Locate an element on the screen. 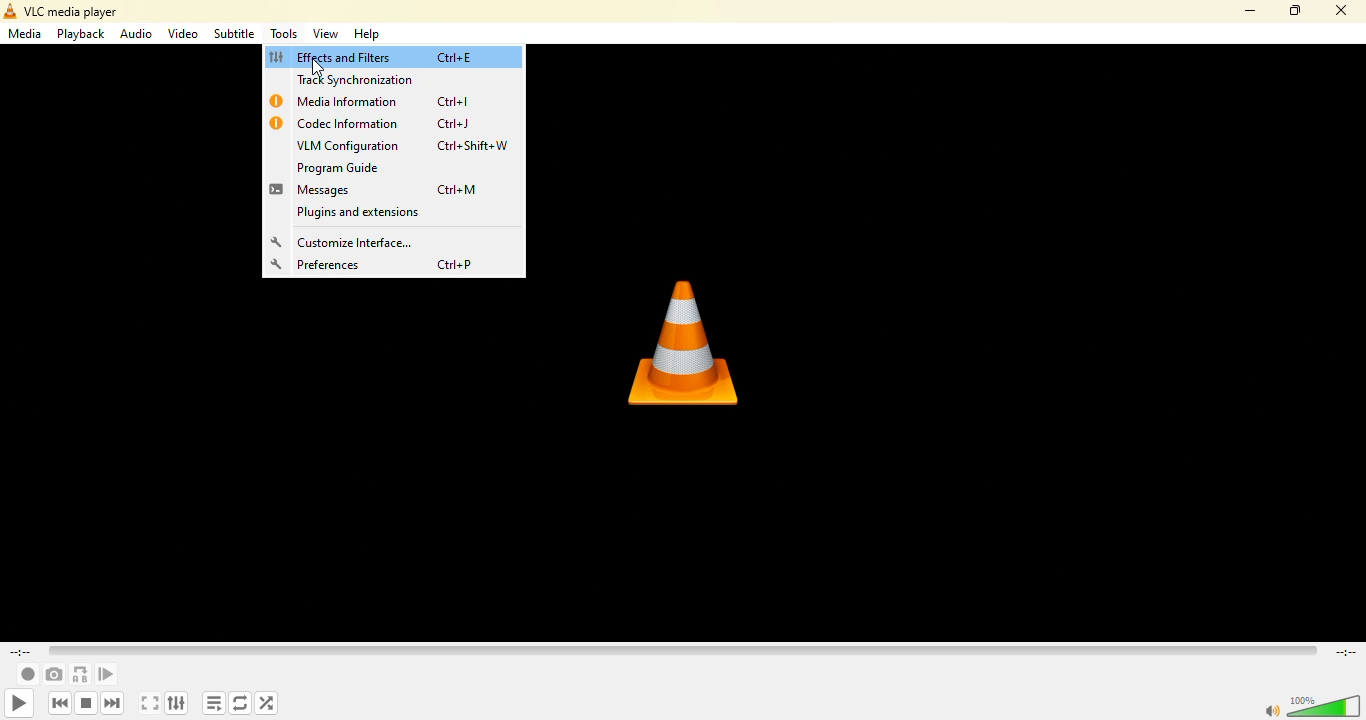 The image size is (1366, 720). program guide is located at coordinates (340, 168).